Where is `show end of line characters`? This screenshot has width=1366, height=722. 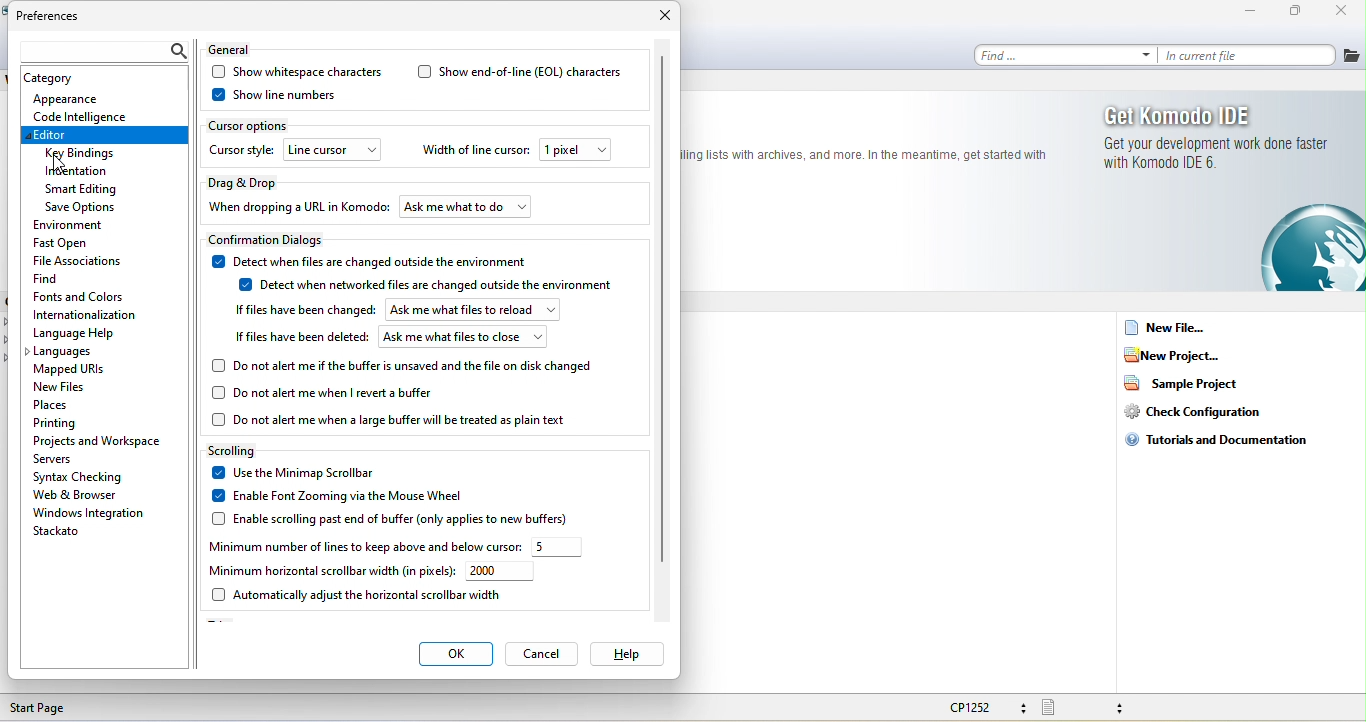 show end of line characters is located at coordinates (519, 72).